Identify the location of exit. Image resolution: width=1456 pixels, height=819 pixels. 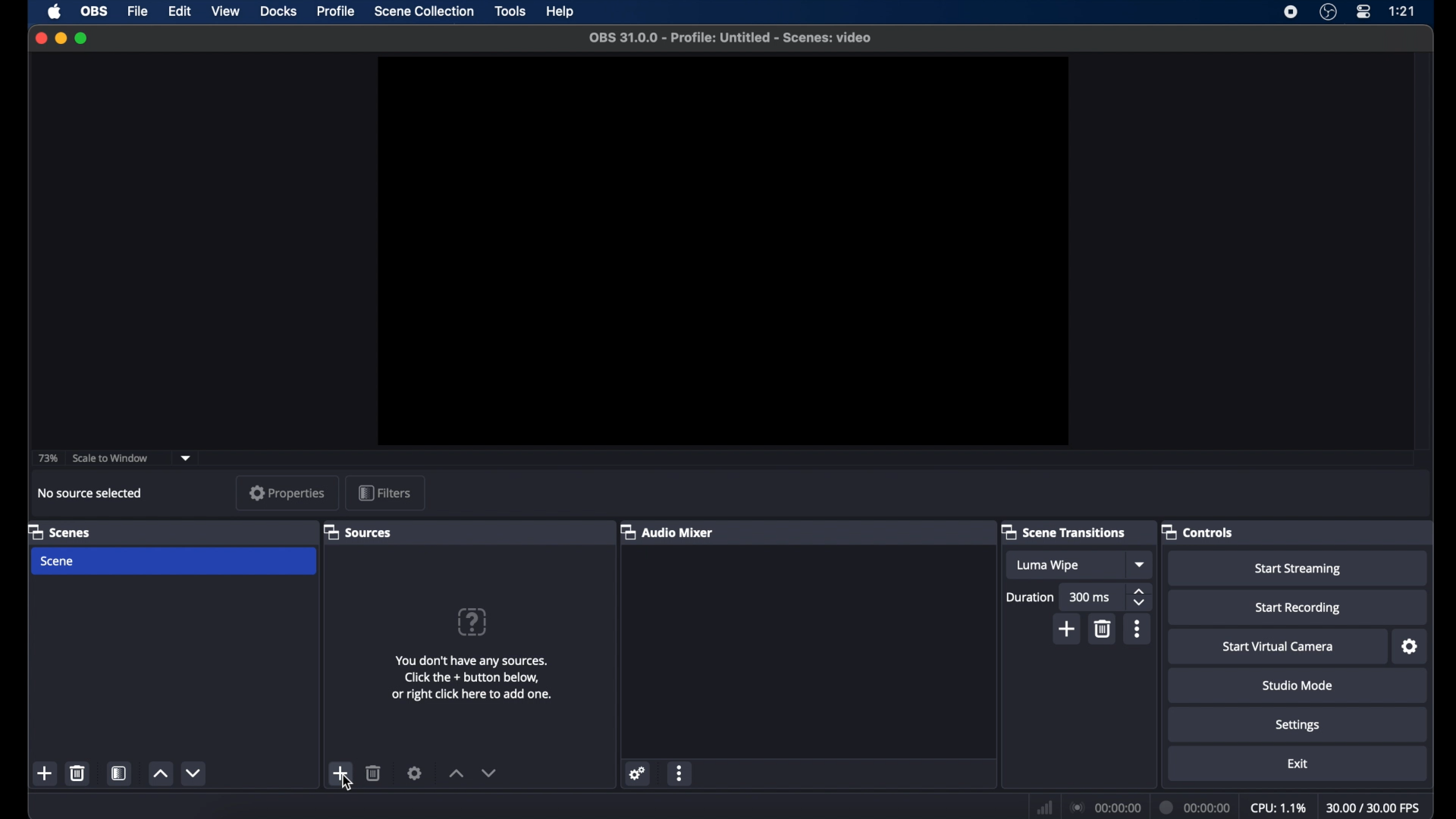
(1298, 764).